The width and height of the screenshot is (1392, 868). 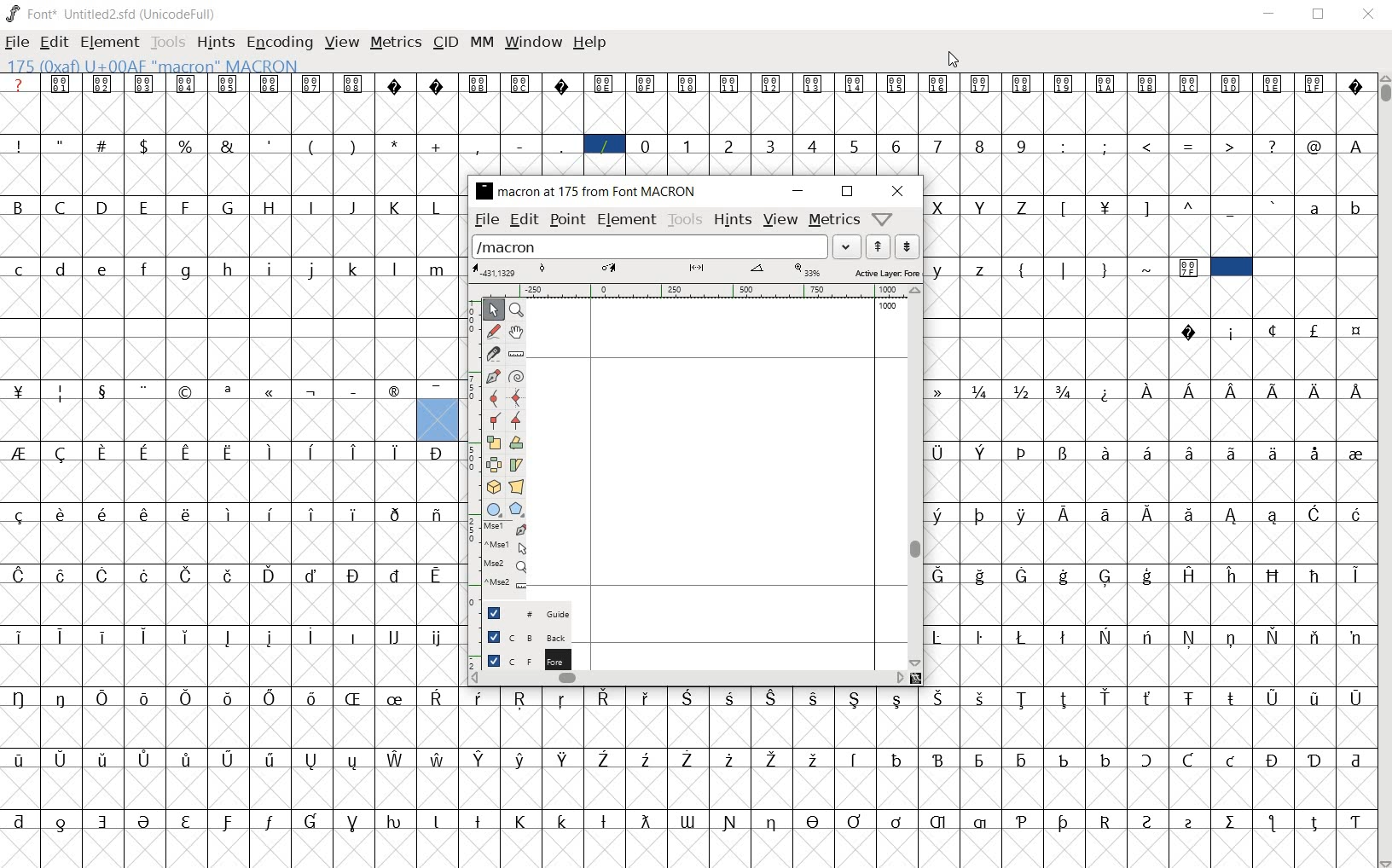 What do you see at coordinates (1066, 391) in the screenshot?
I see `Symbol` at bounding box center [1066, 391].